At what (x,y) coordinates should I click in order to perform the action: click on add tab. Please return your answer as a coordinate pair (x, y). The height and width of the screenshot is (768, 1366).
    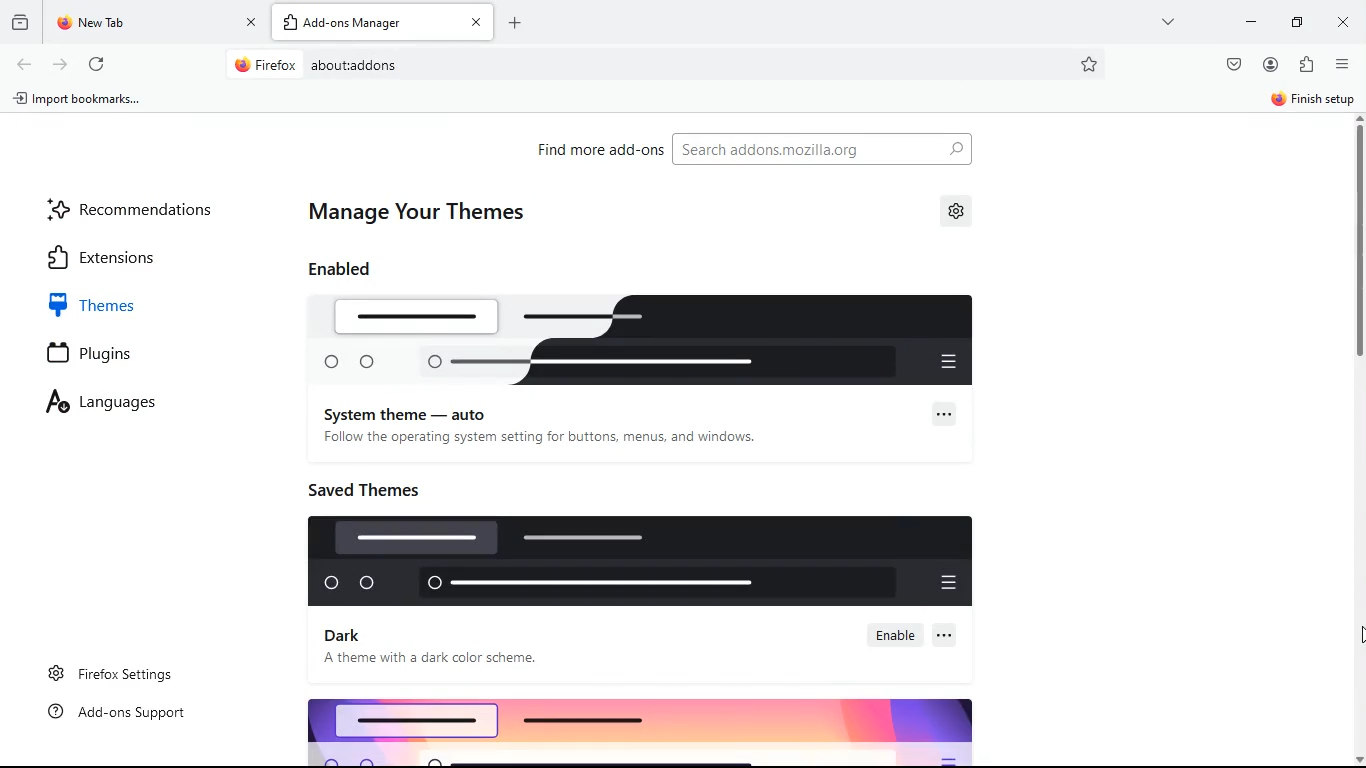
    Looking at the image, I should click on (293, 24).